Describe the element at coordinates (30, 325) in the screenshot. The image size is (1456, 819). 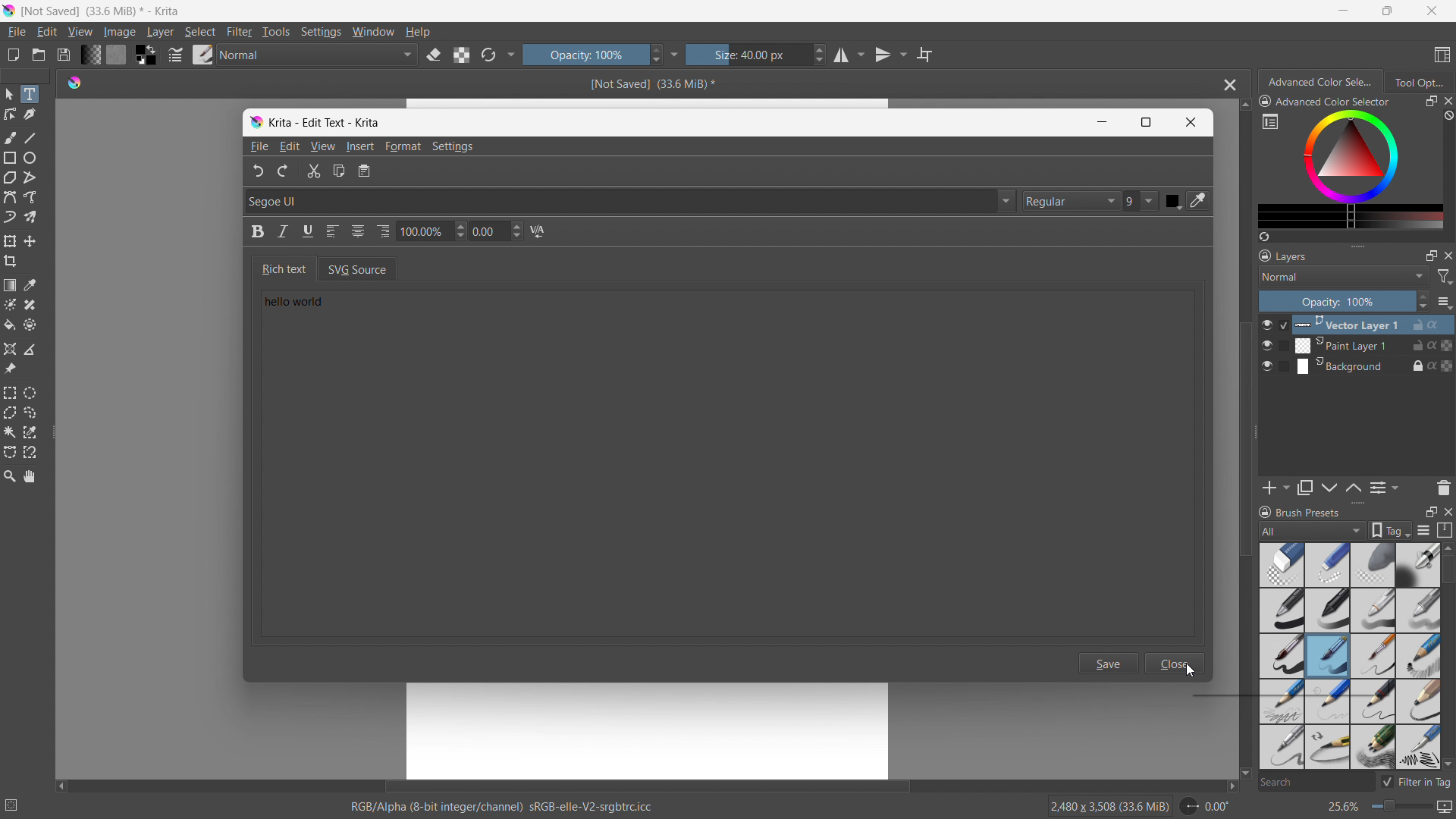
I see `enclose and fill tool` at that location.